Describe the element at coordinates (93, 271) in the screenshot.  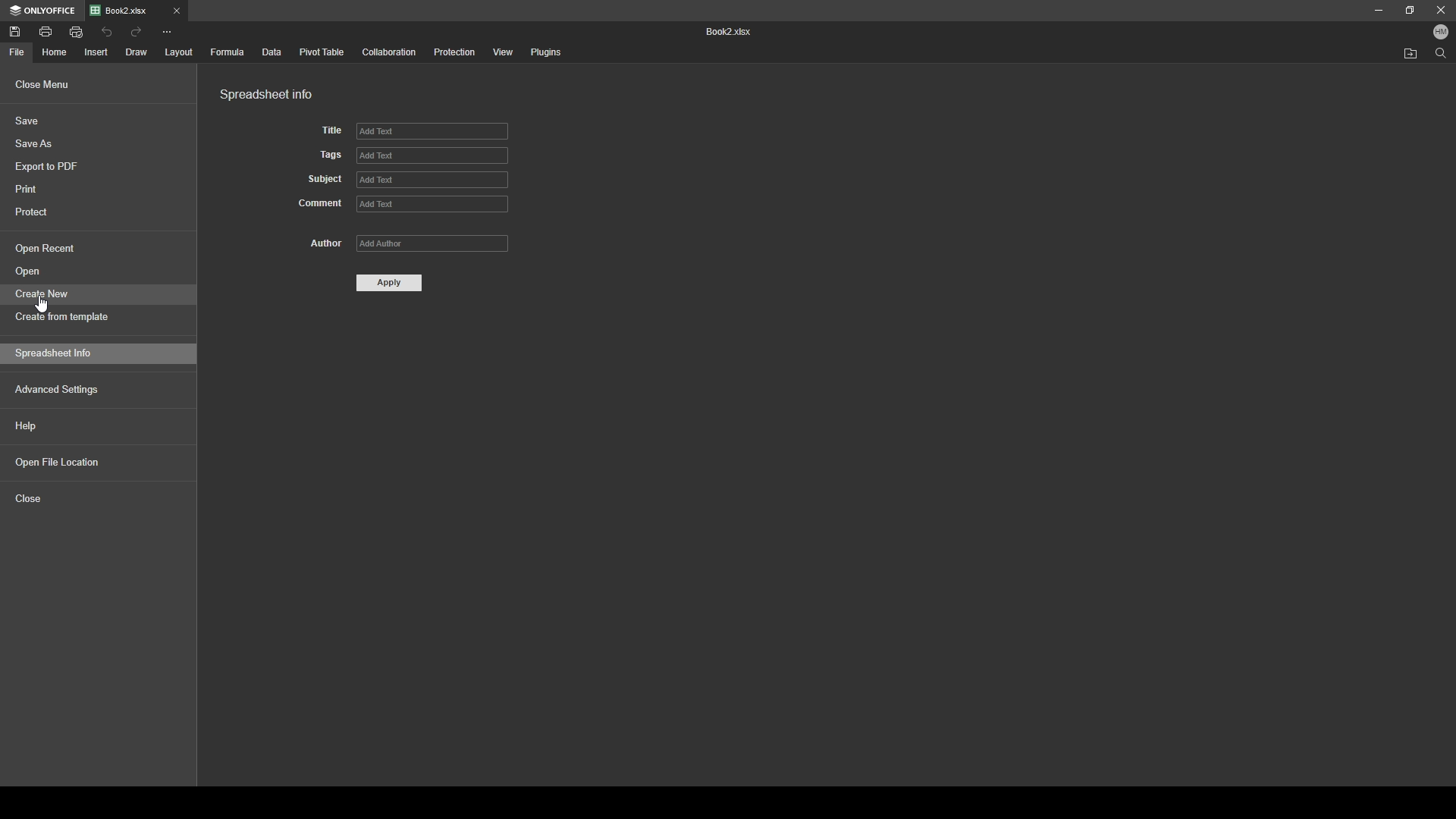
I see `open` at that location.